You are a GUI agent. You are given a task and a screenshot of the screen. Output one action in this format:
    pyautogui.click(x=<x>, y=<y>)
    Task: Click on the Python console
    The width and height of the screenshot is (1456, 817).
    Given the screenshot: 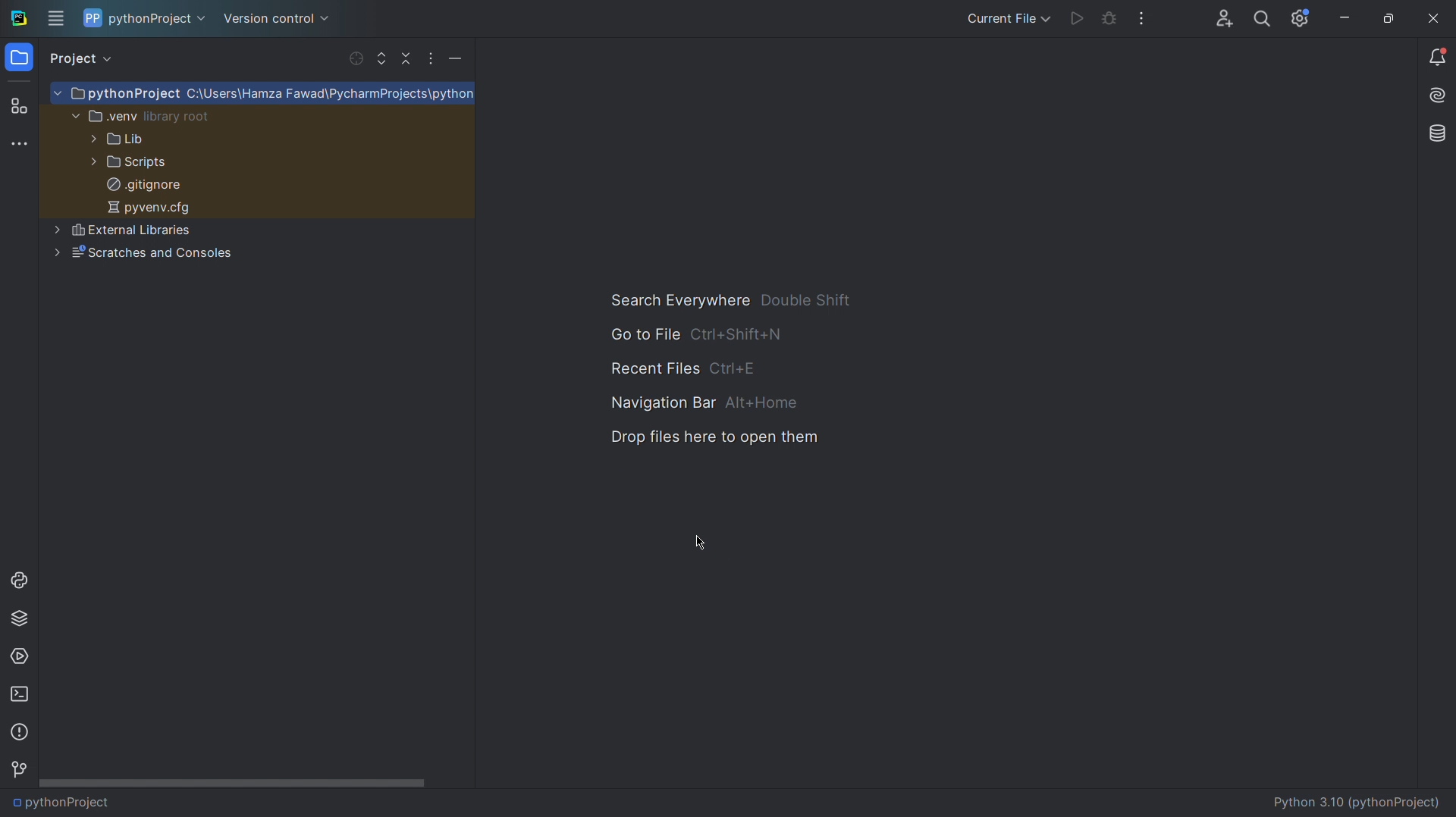 What is the action you would take?
    pyautogui.click(x=24, y=580)
    